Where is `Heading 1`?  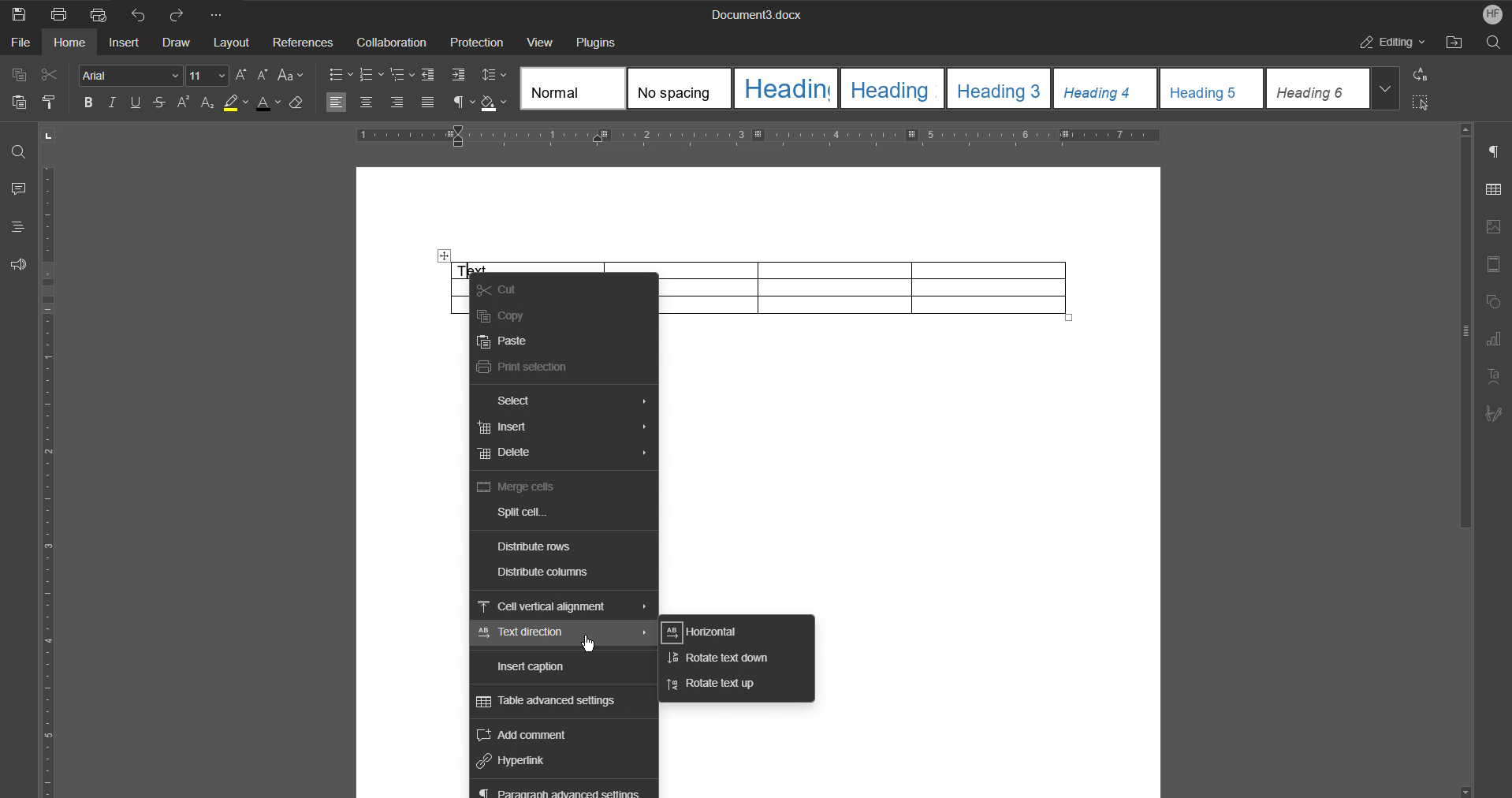
Heading 1 is located at coordinates (788, 89).